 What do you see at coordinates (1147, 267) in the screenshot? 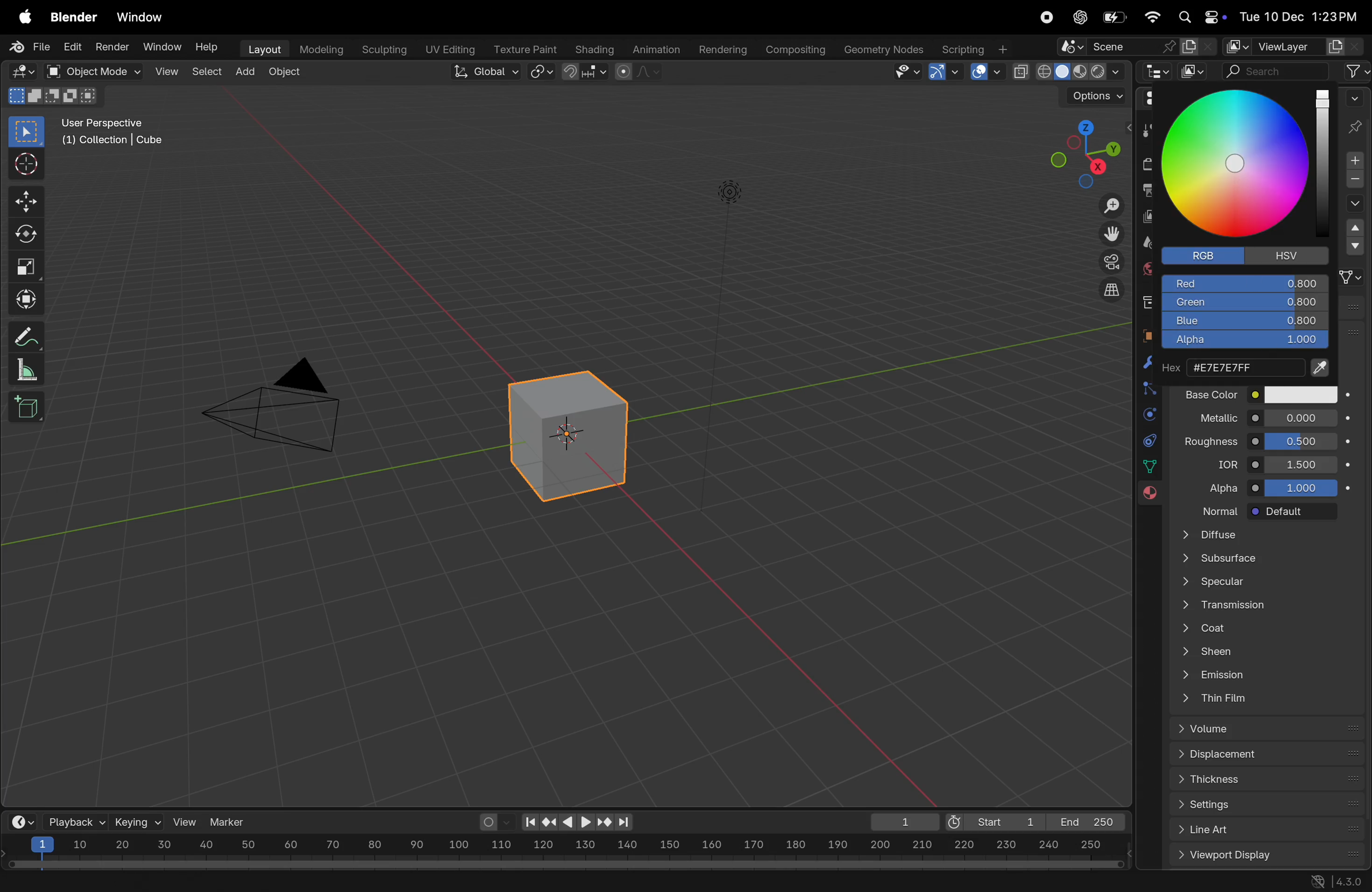
I see `world` at bounding box center [1147, 267].